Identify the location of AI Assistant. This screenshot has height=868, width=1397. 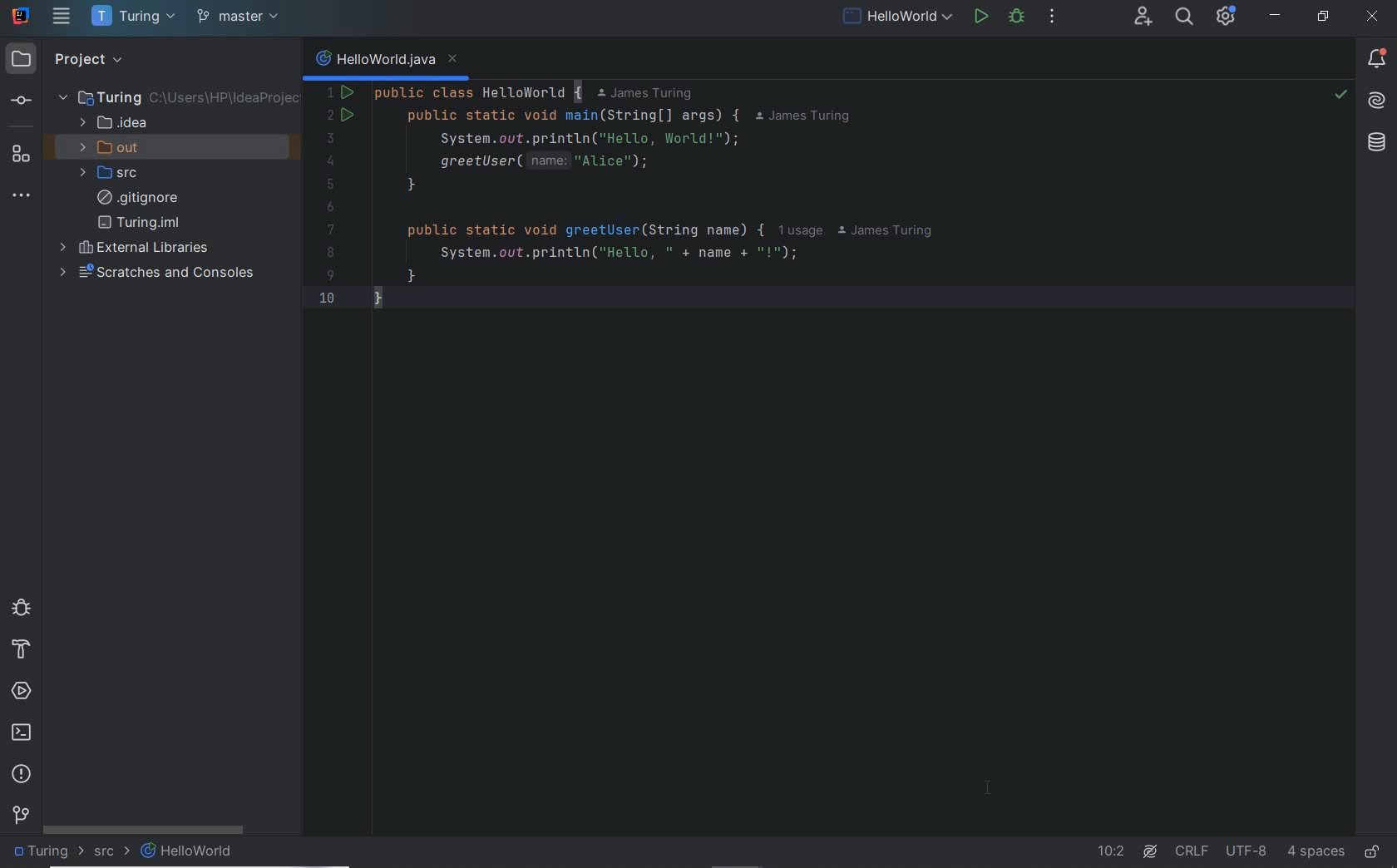
(1378, 101).